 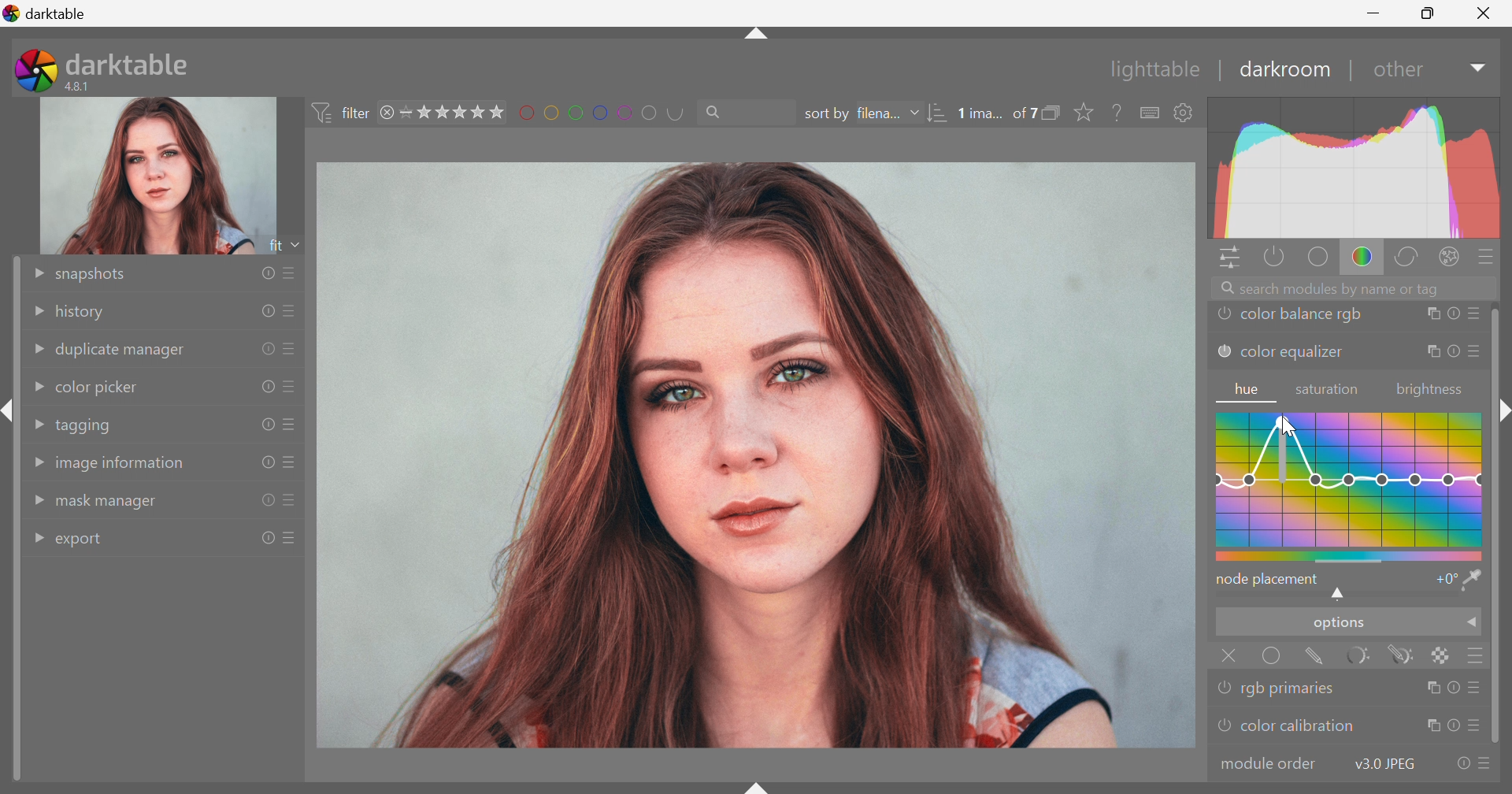 What do you see at coordinates (1150, 70) in the screenshot?
I see `lighttable` at bounding box center [1150, 70].